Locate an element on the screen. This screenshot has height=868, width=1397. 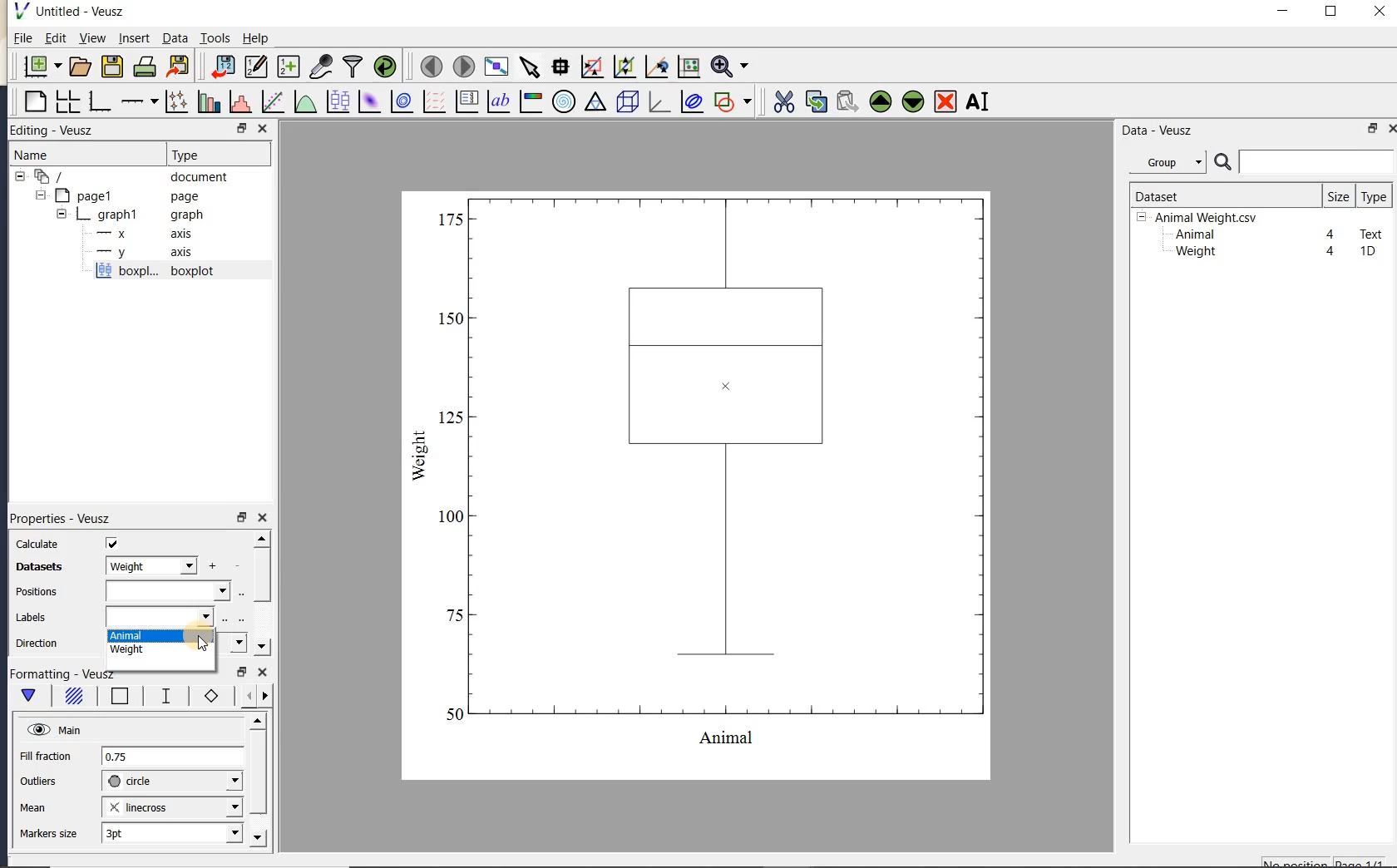
arrange graphs in a grid is located at coordinates (67, 101).